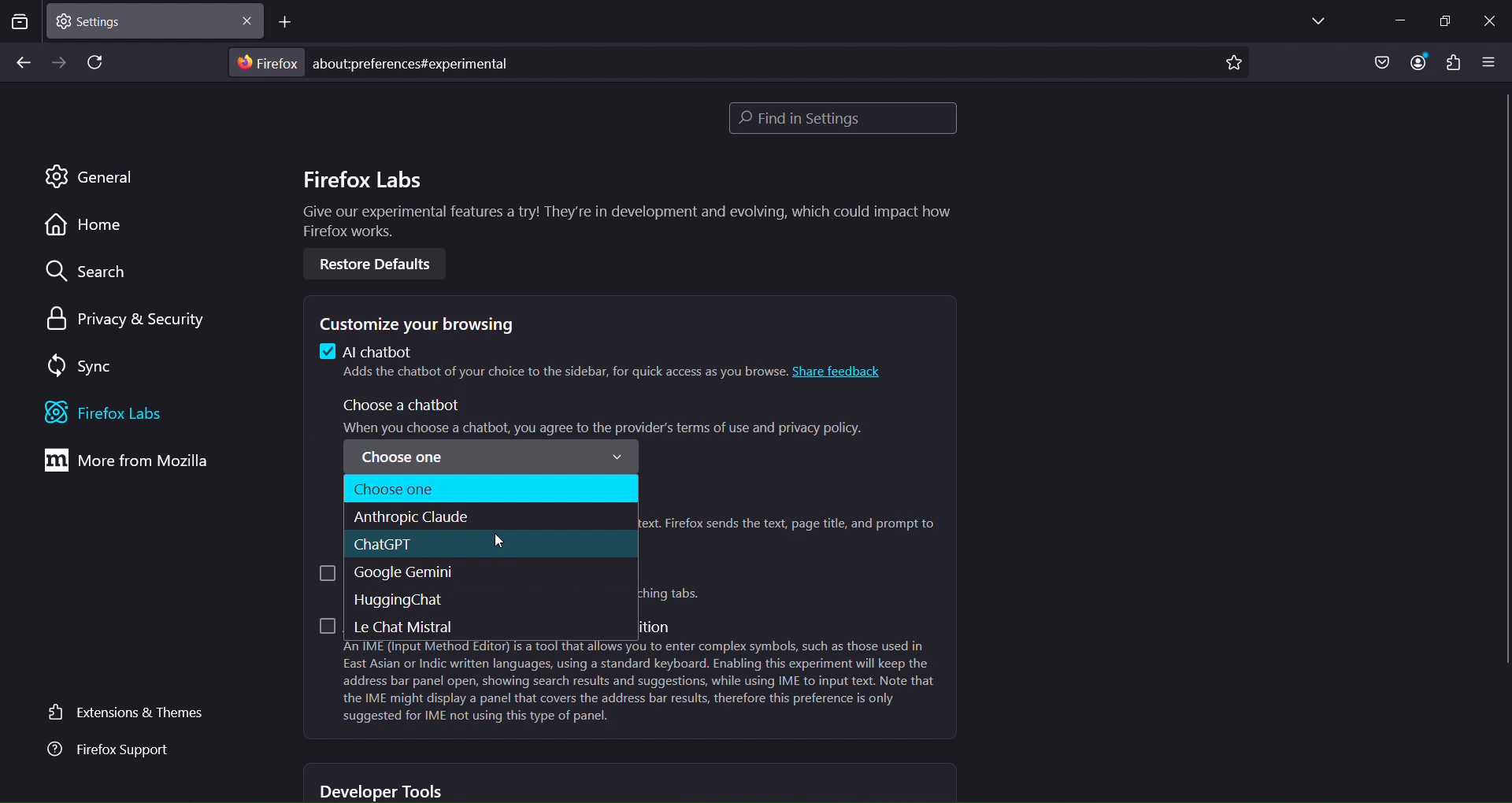  I want to click on open application menu, so click(1492, 63).